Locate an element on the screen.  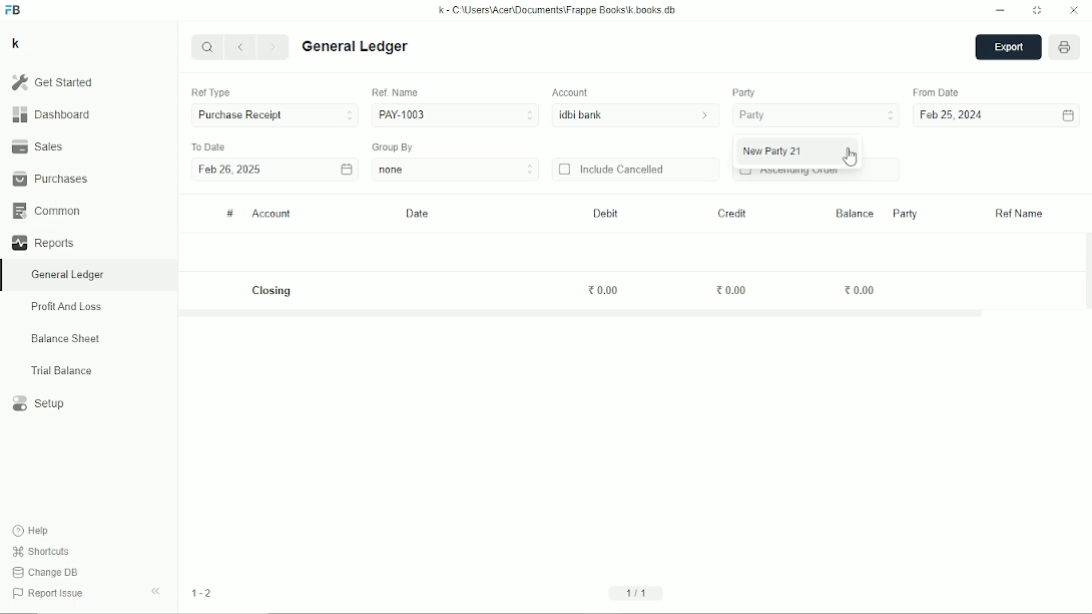
Balance is located at coordinates (854, 212).